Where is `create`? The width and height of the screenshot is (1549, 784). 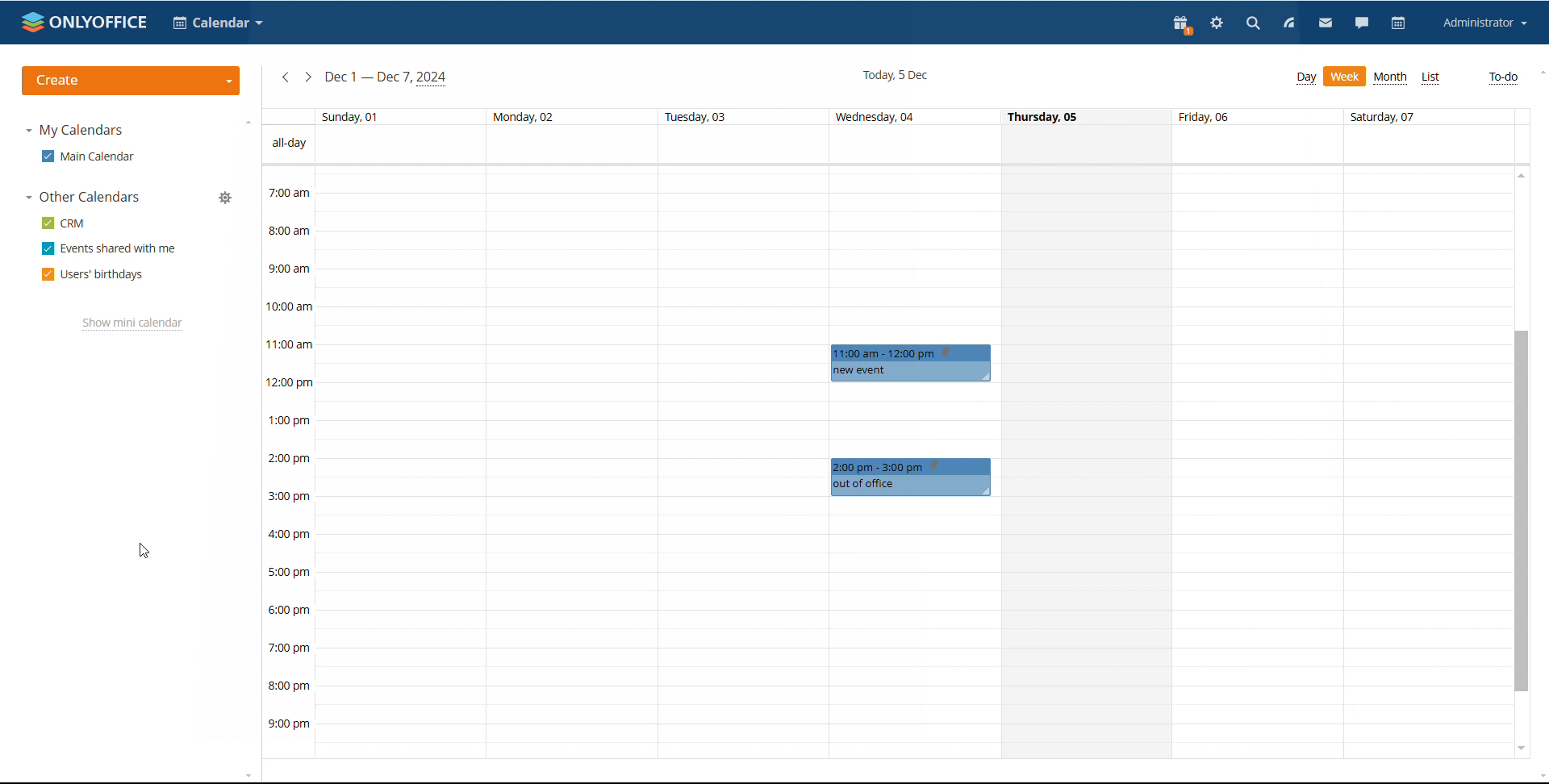 create is located at coordinates (132, 81).